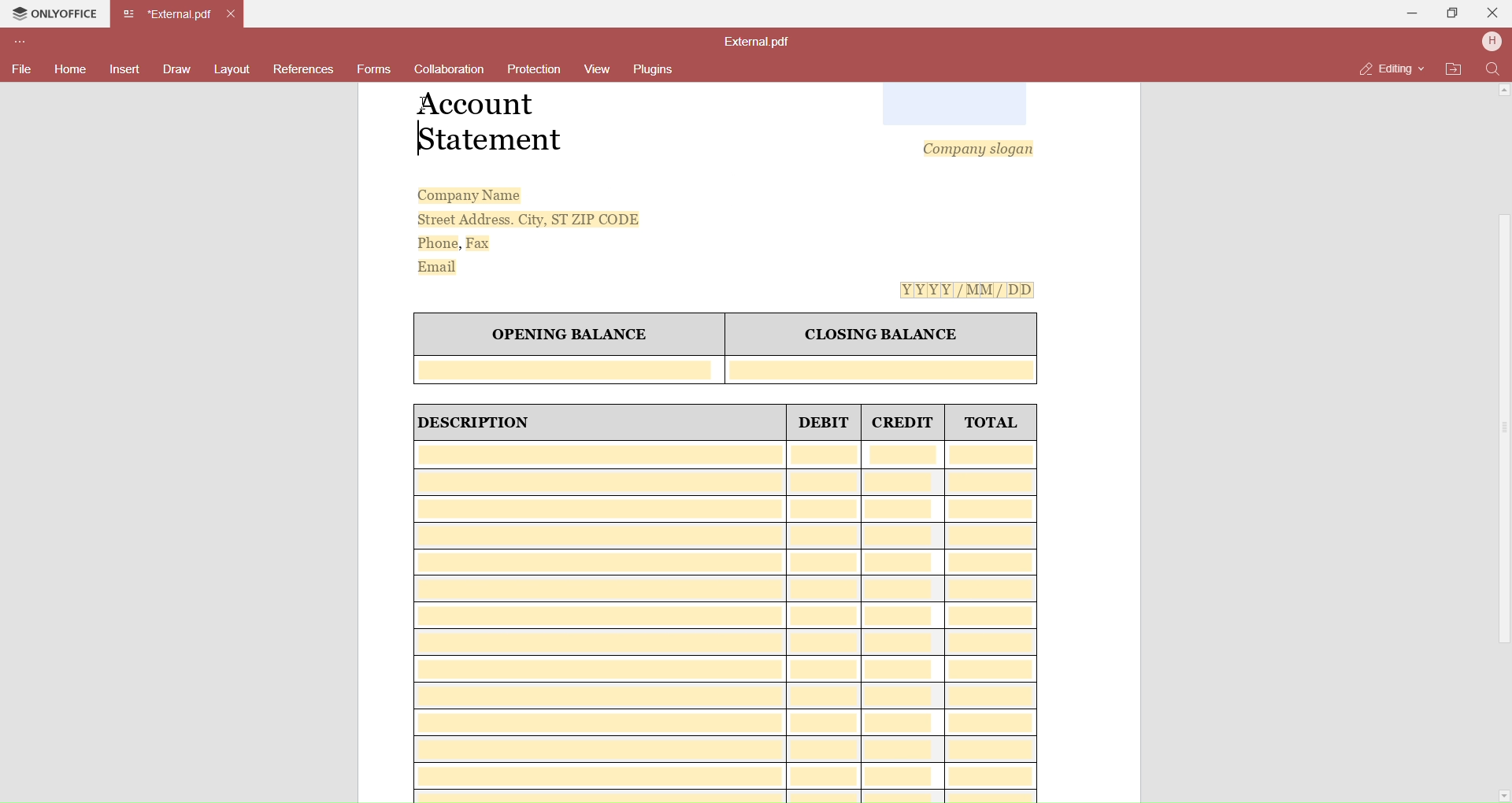  Describe the element at coordinates (1501, 794) in the screenshot. I see `Scroll Down` at that location.